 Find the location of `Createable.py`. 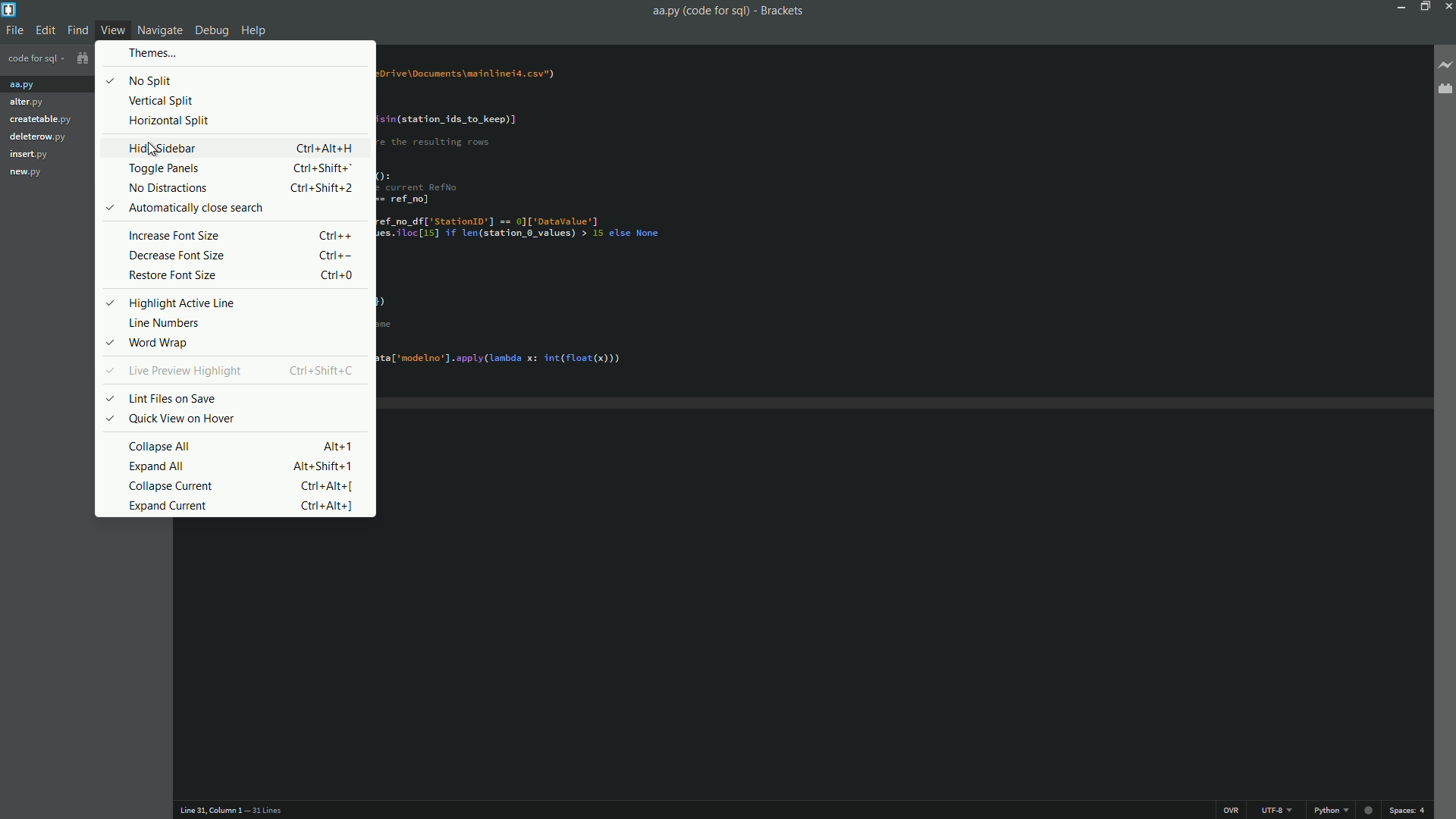

Createable.py is located at coordinates (42, 119).